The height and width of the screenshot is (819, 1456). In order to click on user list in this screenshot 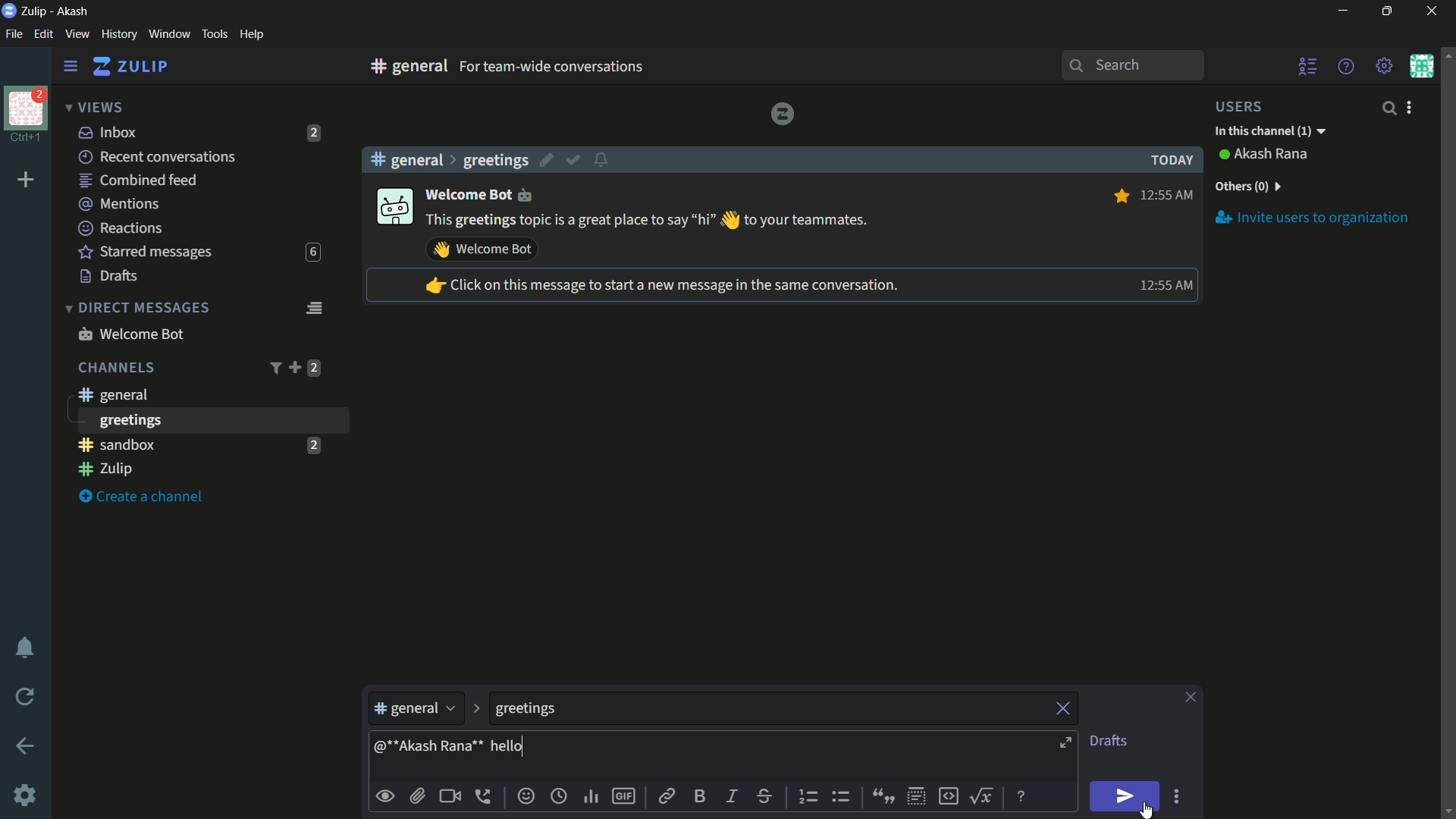, I will do `click(1309, 66)`.